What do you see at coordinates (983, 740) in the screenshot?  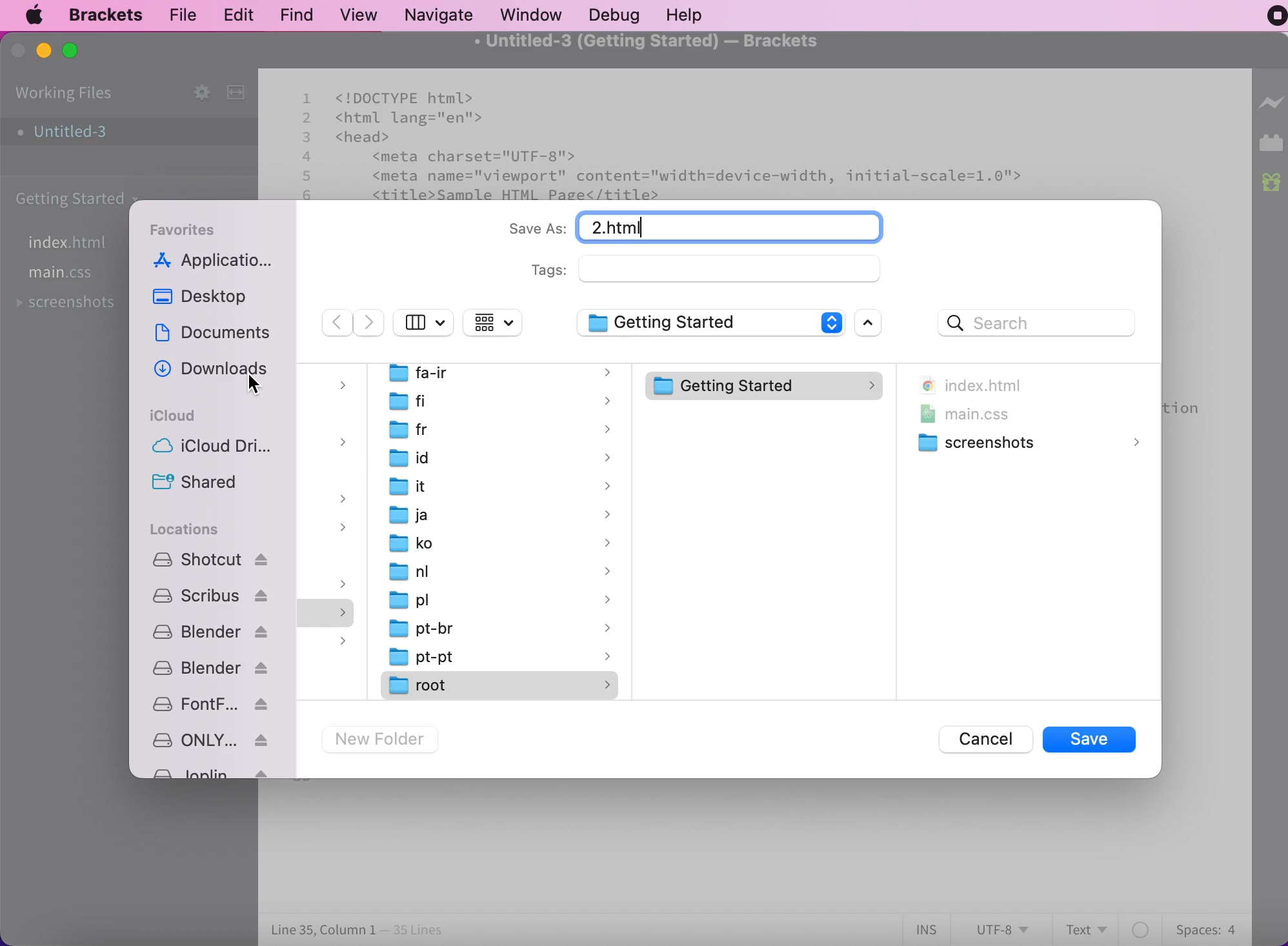 I see `cancel` at bounding box center [983, 740].